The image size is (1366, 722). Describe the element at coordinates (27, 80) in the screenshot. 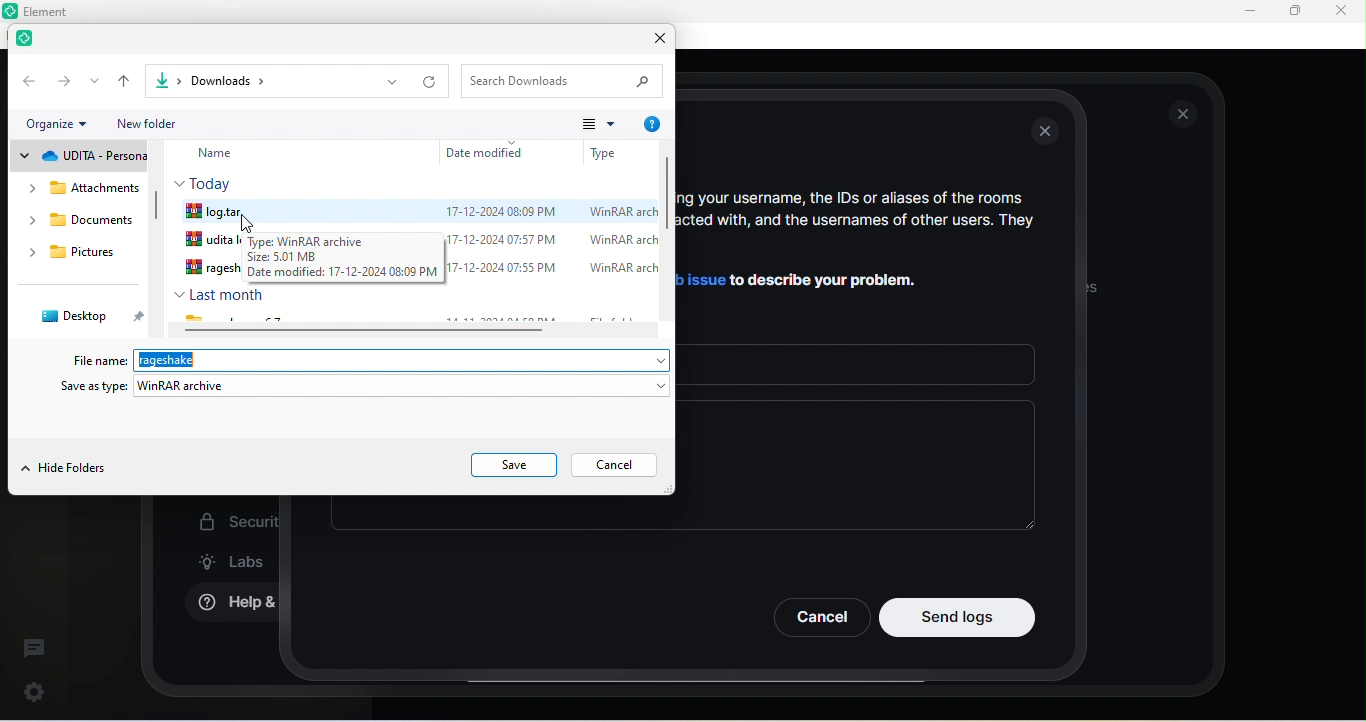

I see `back` at that location.